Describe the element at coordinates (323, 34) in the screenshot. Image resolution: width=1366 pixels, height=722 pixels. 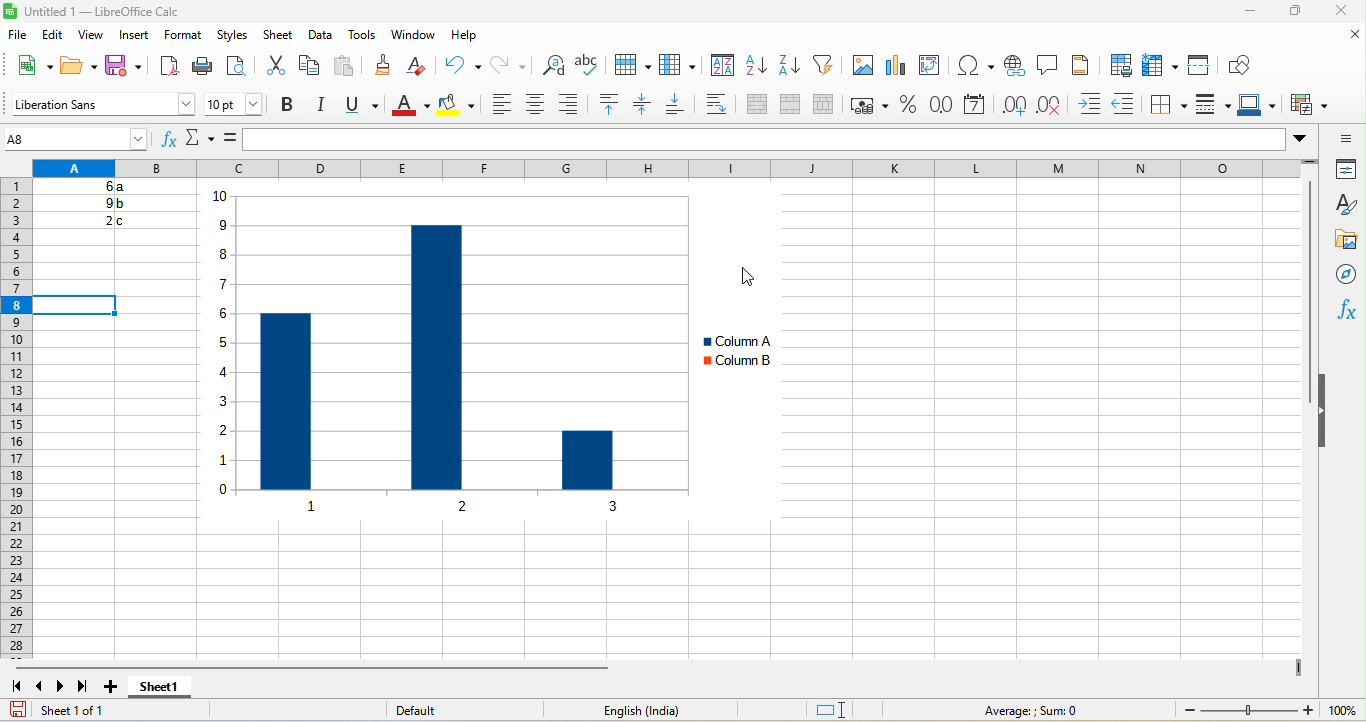
I see `data` at that location.